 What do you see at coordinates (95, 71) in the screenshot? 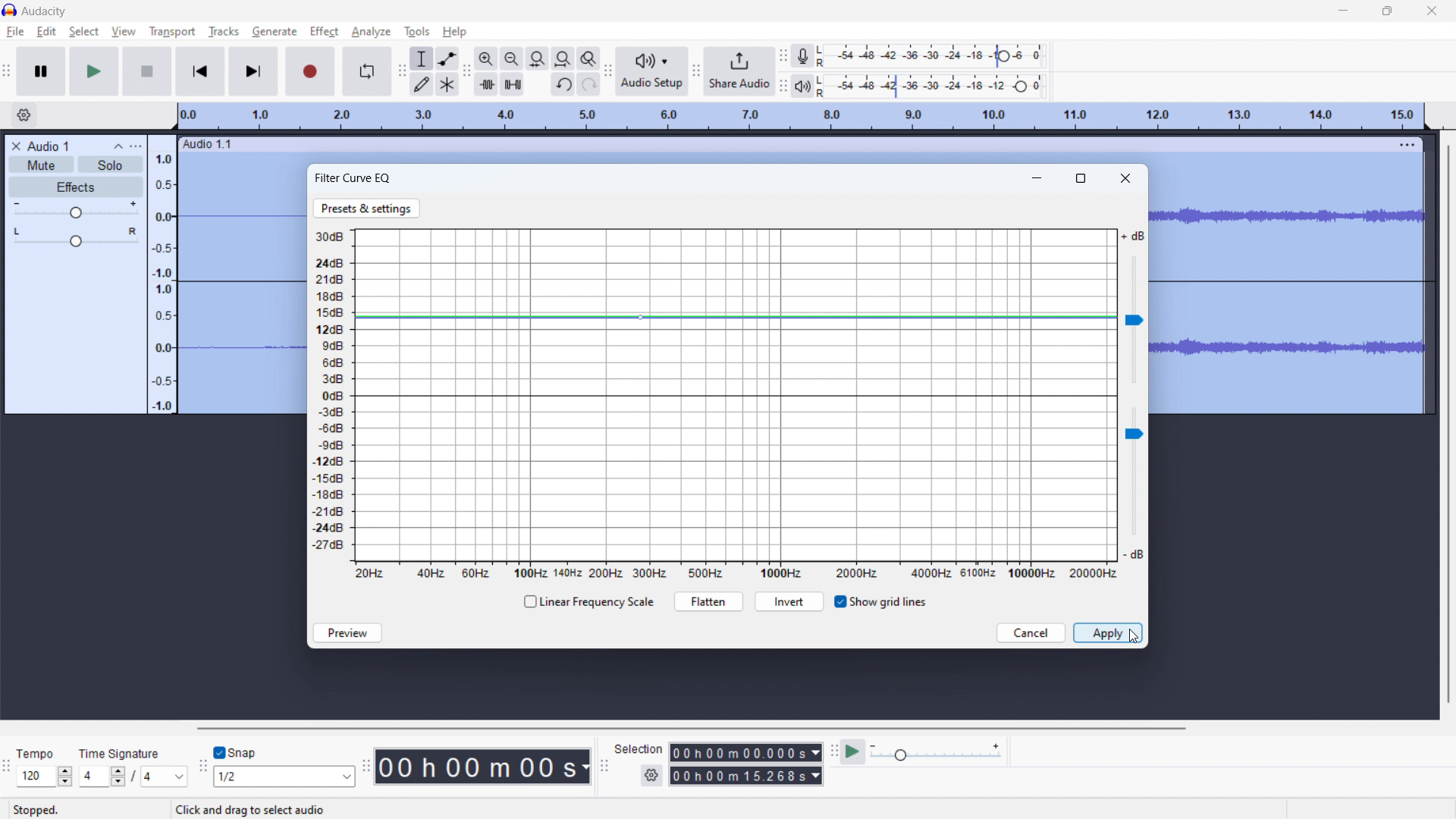
I see `play` at bounding box center [95, 71].